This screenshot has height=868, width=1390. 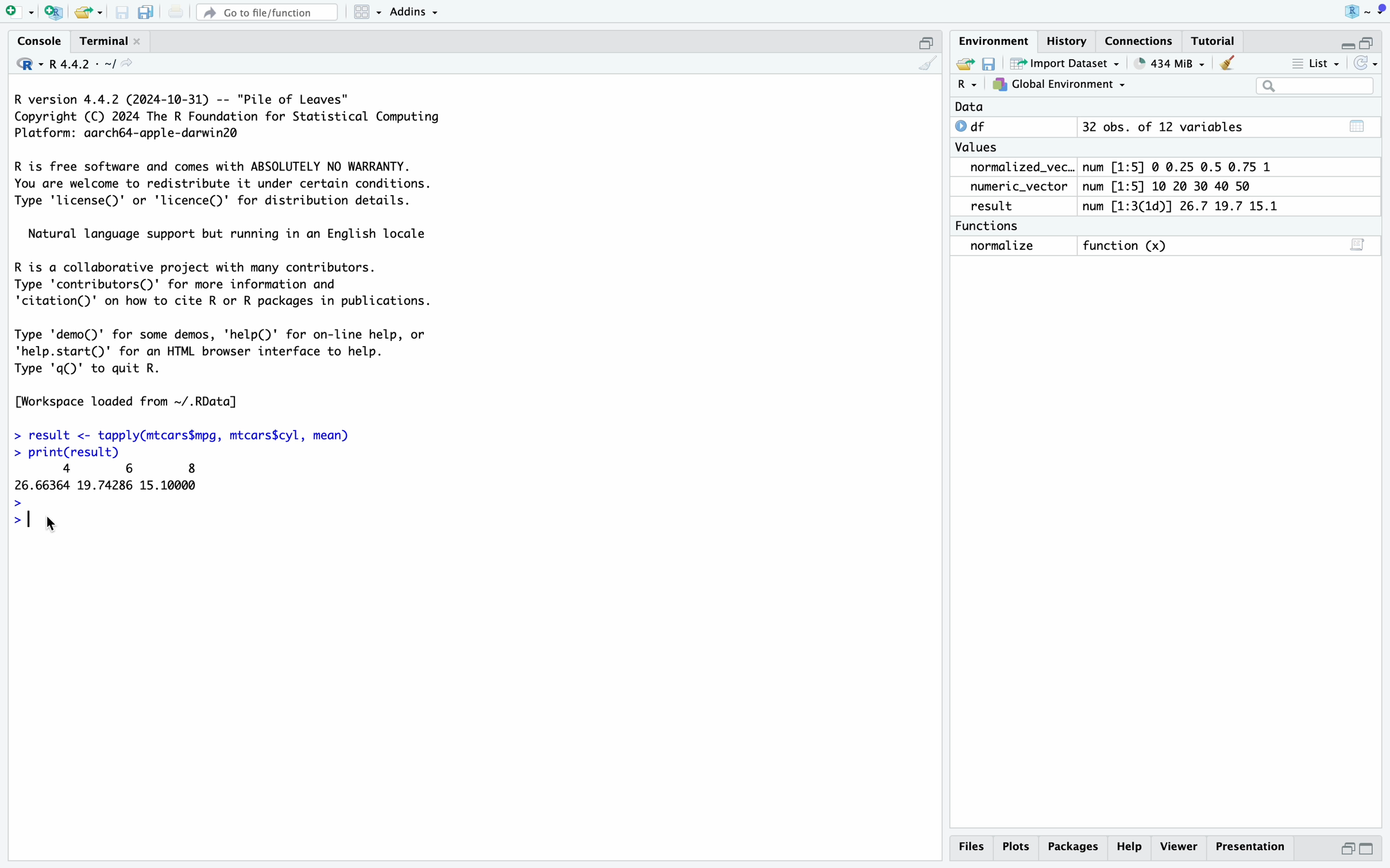 I want to click on Hide, so click(x=1347, y=45).